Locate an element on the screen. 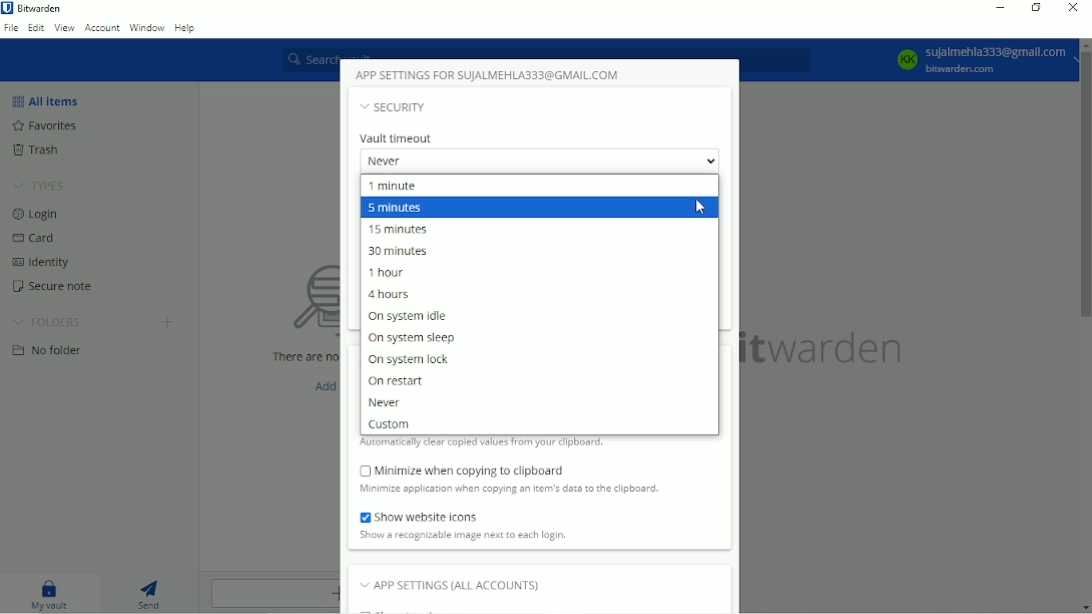  Close is located at coordinates (1074, 9).